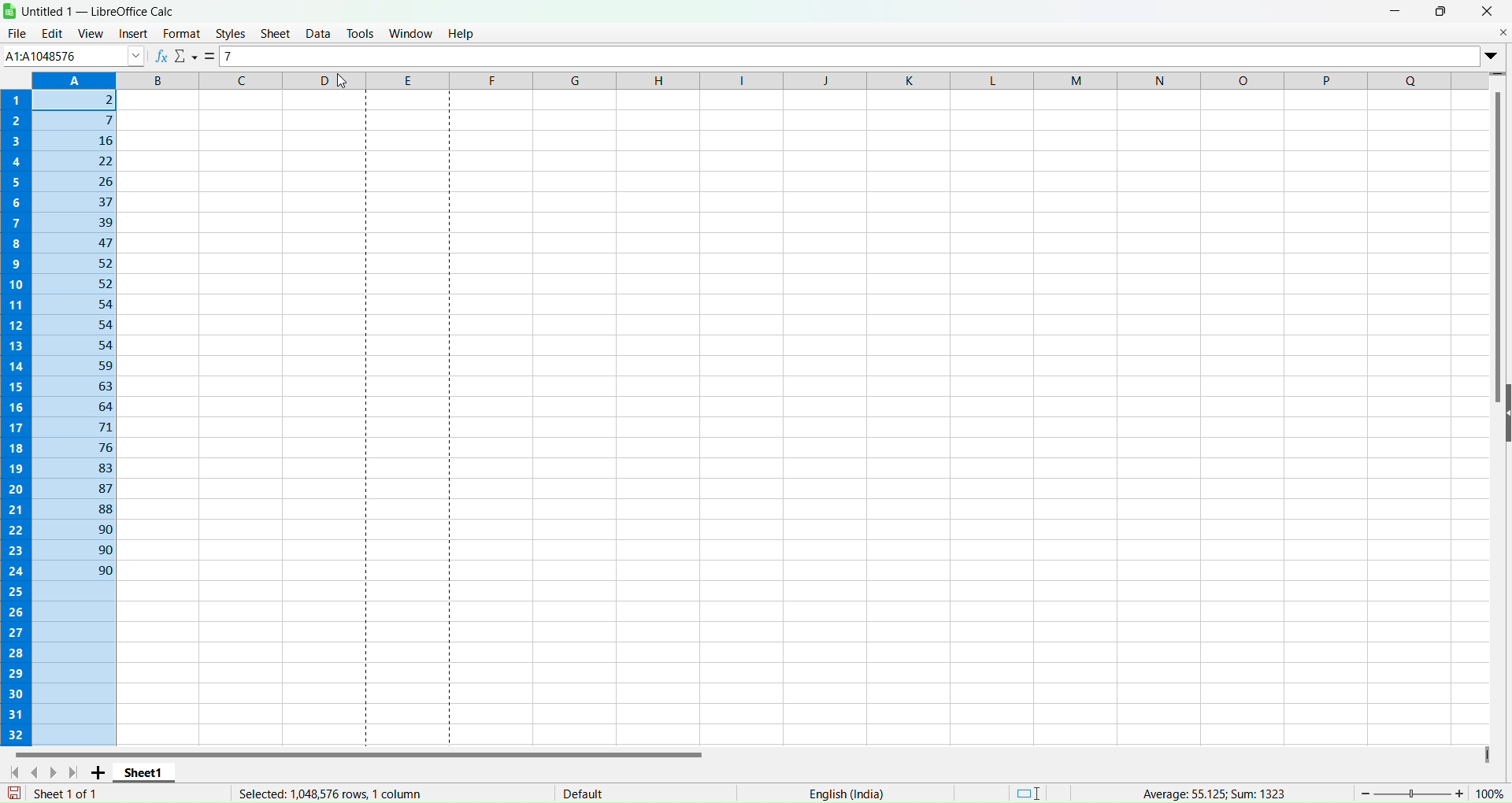 This screenshot has width=1512, height=803. What do you see at coordinates (101, 772) in the screenshot?
I see `Add` at bounding box center [101, 772].